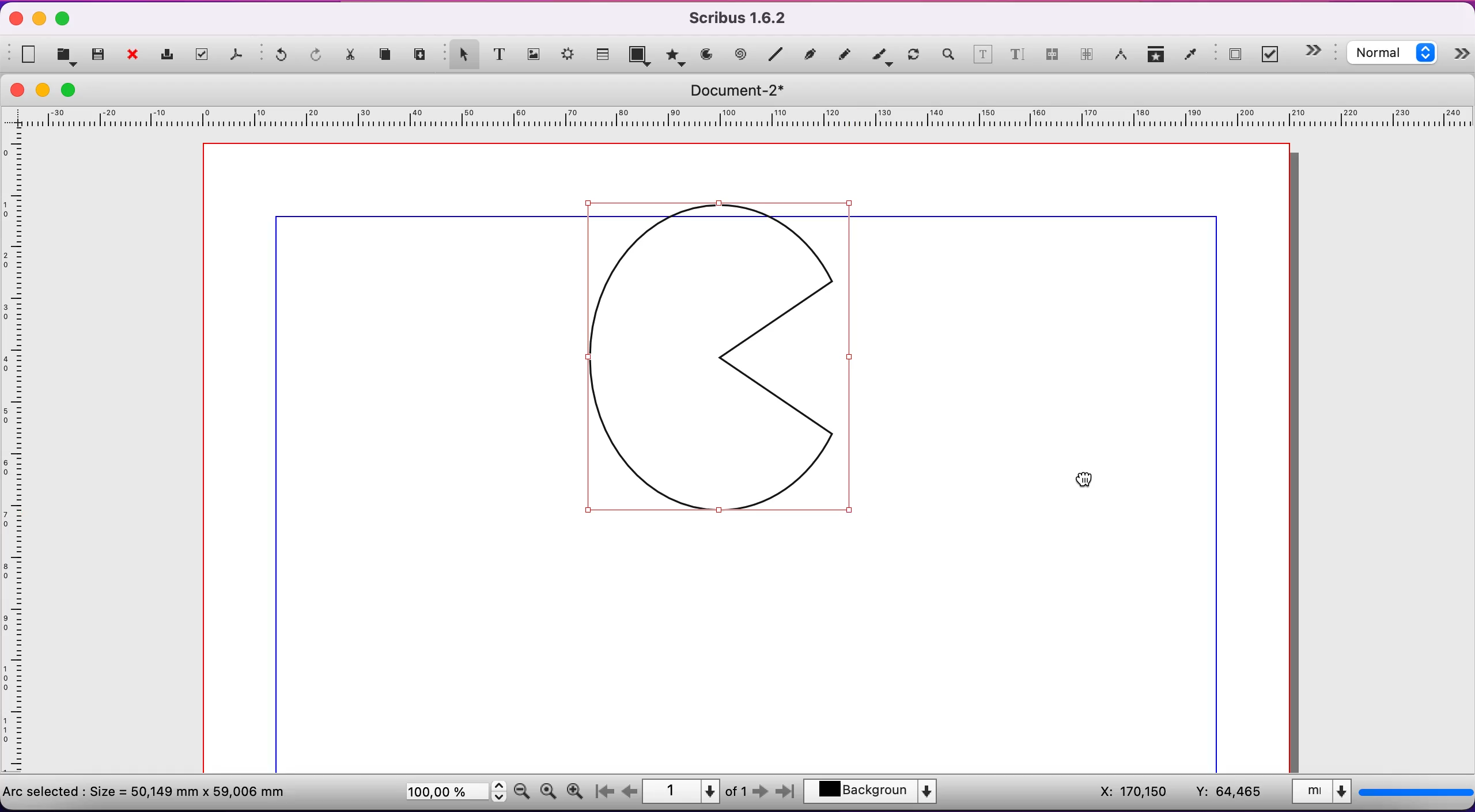 The height and width of the screenshot is (812, 1475). I want to click on link text frames, so click(1052, 58).